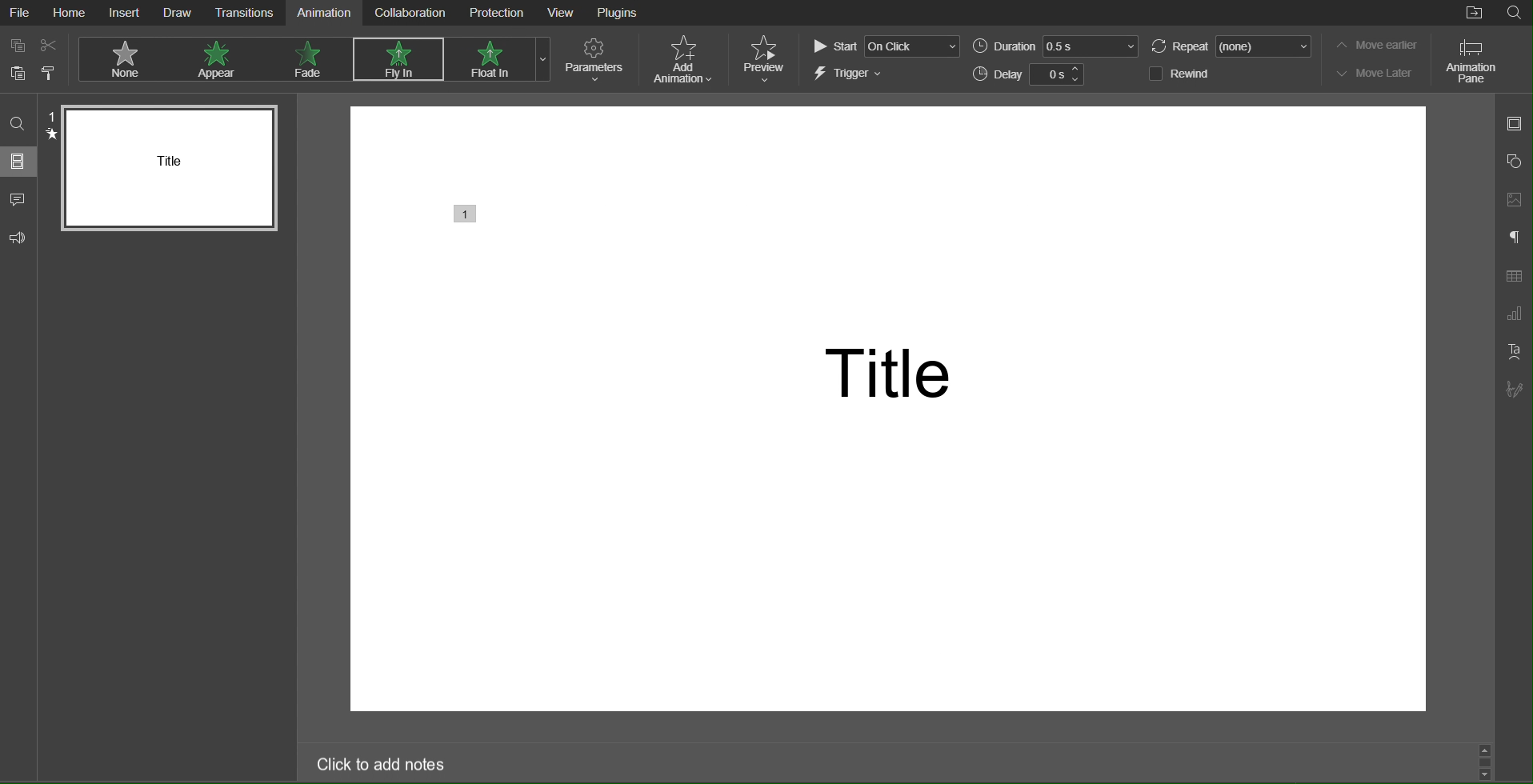 Image resolution: width=1533 pixels, height=784 pixels. What do you see at coordinates (850, 74) in the screenshot?
I see `Trigger` at bounding box center [850, 74].